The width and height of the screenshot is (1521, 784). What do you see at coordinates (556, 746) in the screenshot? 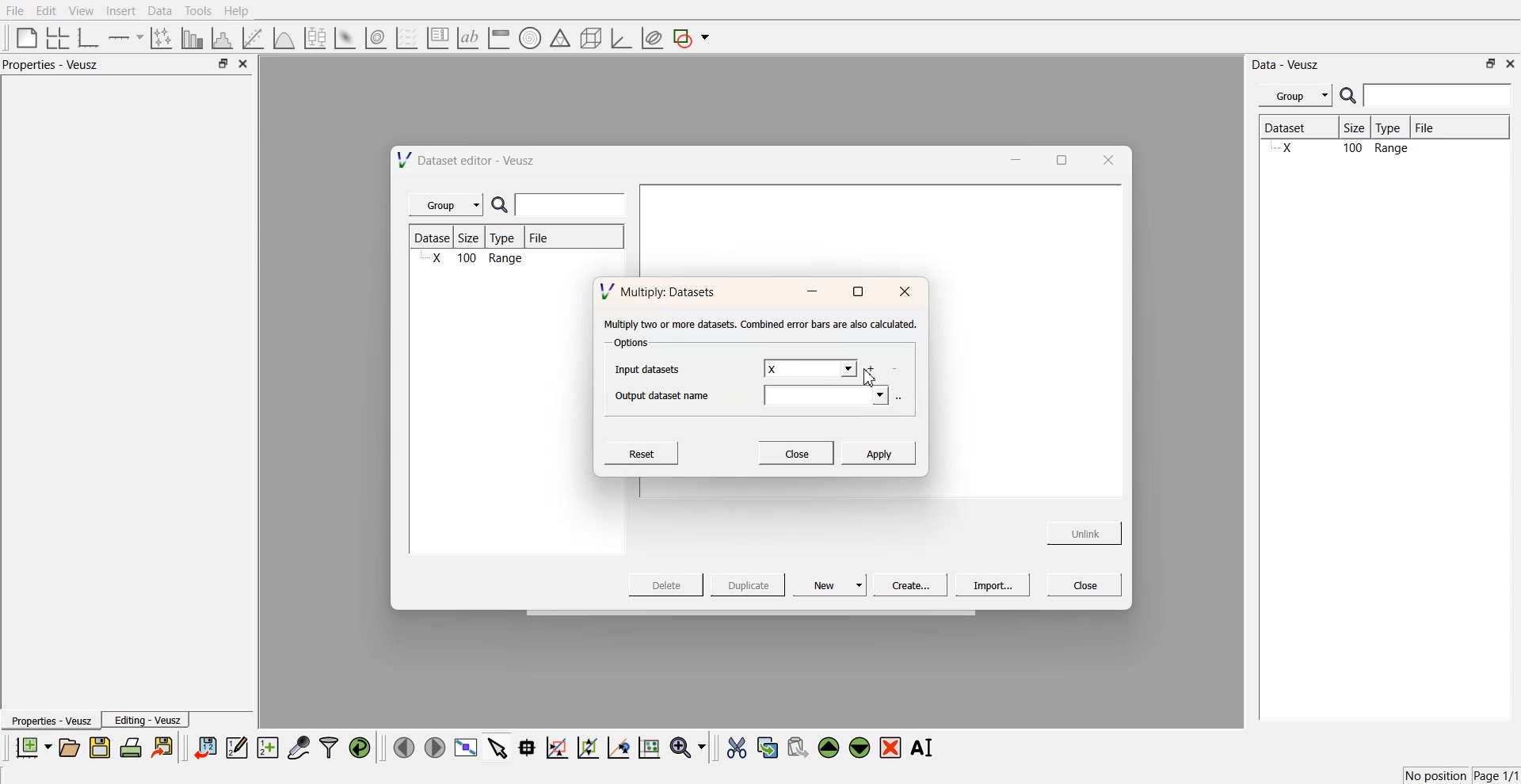
I see `draw a rectangle on zoom graph axes` at bounding box center [556, 746].